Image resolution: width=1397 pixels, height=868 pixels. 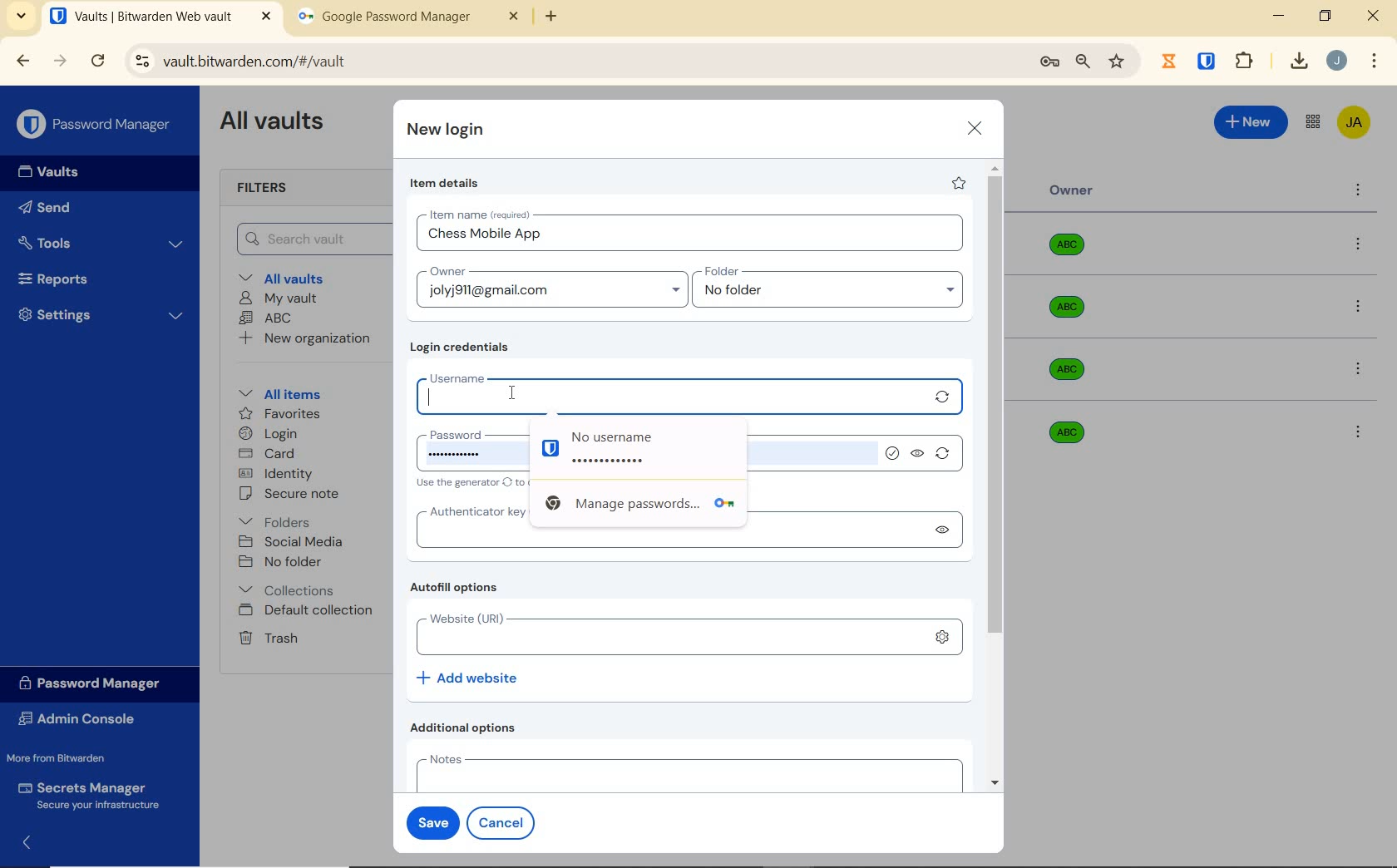 What do you see at coordinates (918, 457) in the screenshot?
I see `unhide` at bounding box center [918, 457].